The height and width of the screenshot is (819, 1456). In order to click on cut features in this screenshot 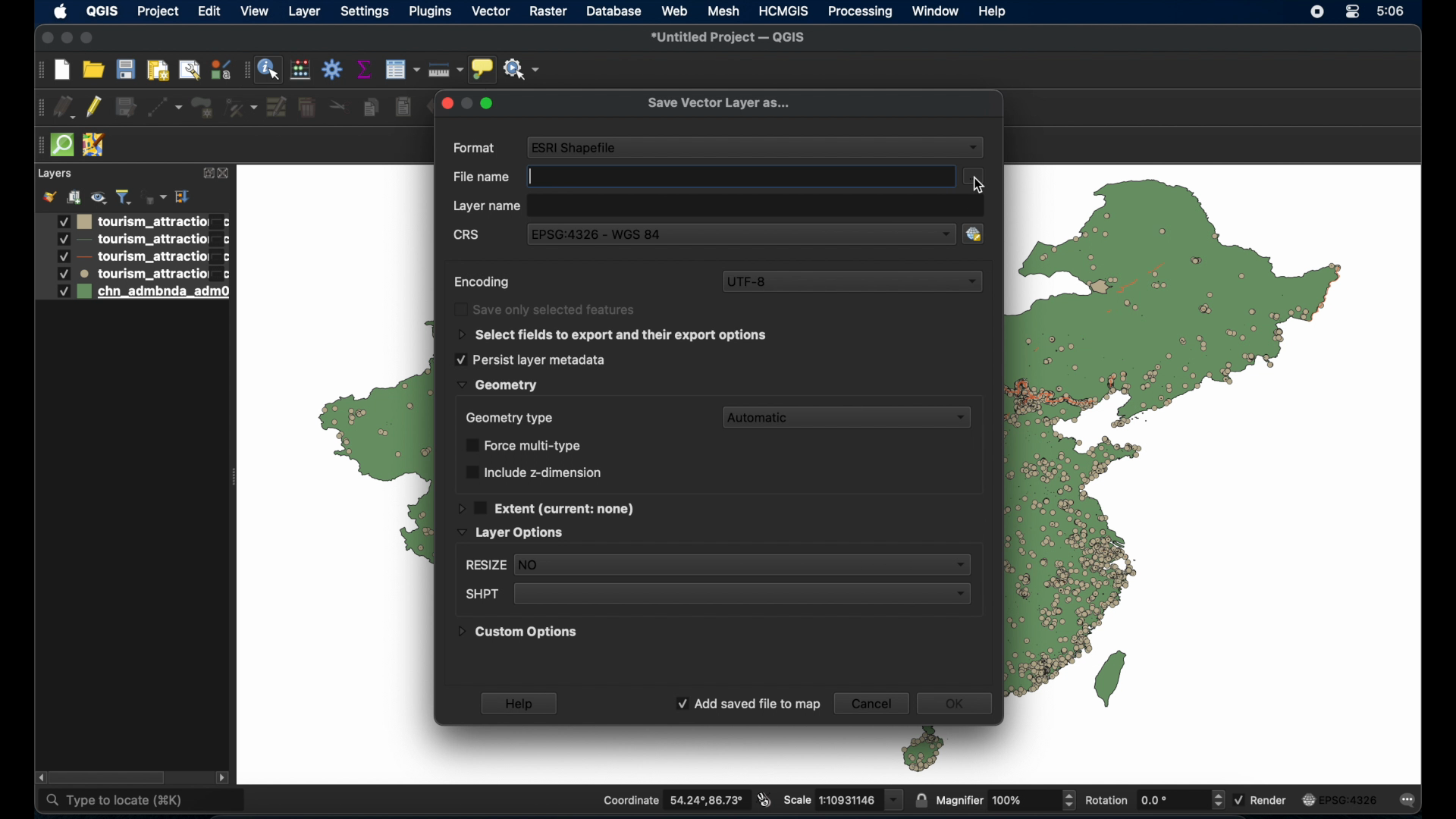, I will do `click(340, 105)`.